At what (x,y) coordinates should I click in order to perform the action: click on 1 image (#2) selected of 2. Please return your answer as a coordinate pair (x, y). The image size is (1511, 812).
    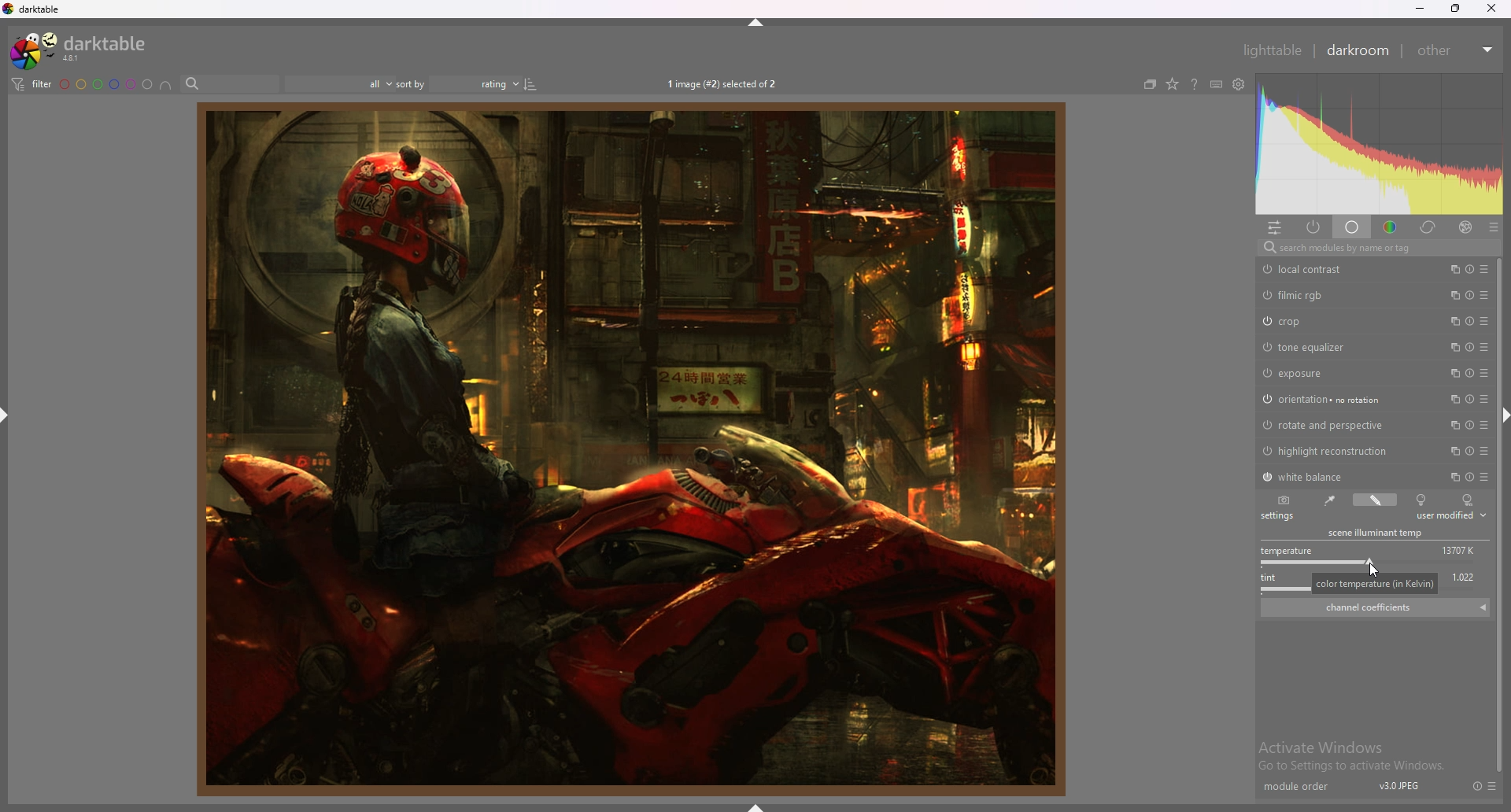
    Looking at the image, I should click on (726, 83).